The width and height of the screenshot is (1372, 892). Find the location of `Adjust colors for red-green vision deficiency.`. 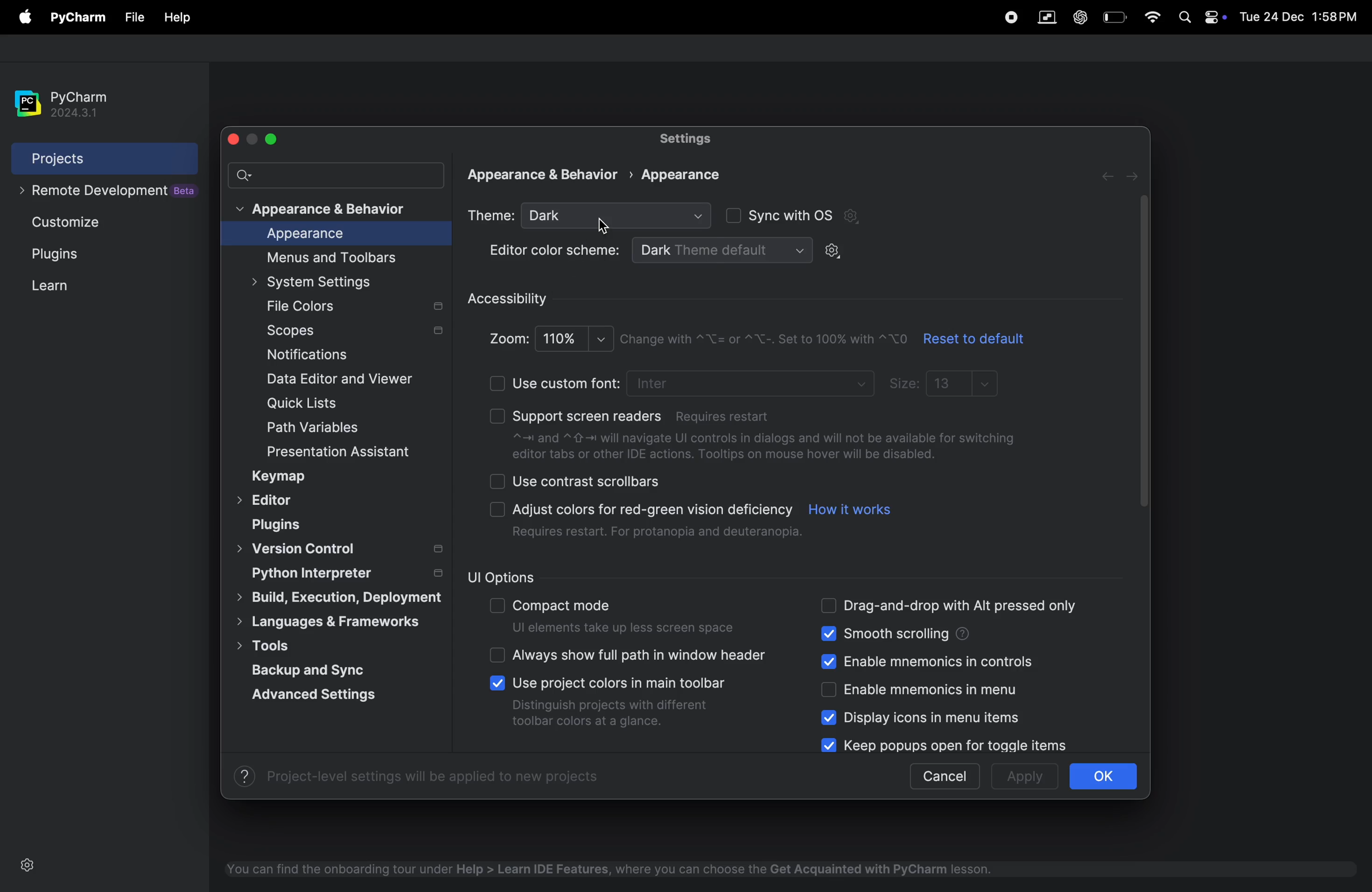

Adjust colors for red-green vision deficiency. is located at coordinates (653, 509).